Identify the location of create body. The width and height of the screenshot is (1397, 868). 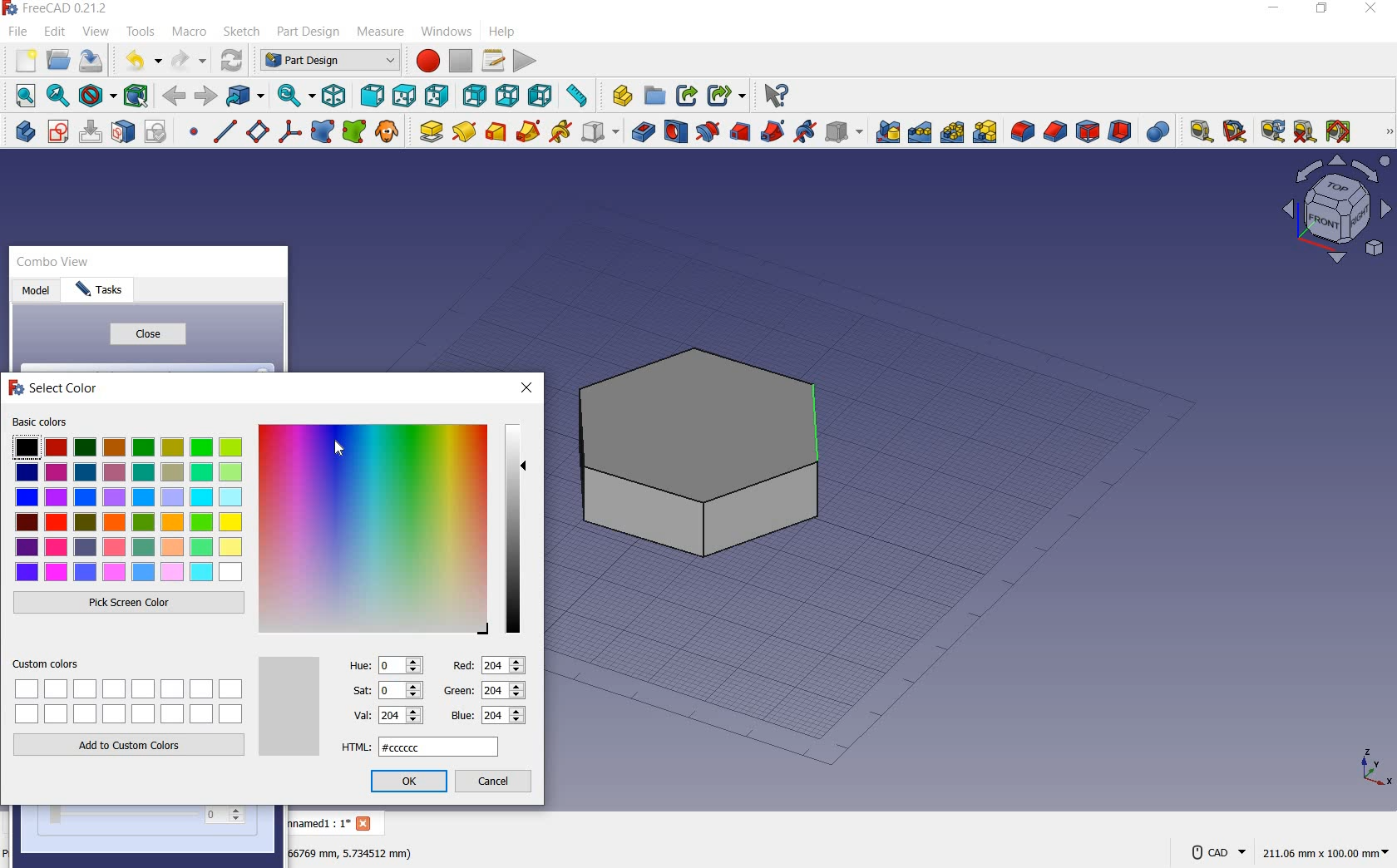
(22, 129).